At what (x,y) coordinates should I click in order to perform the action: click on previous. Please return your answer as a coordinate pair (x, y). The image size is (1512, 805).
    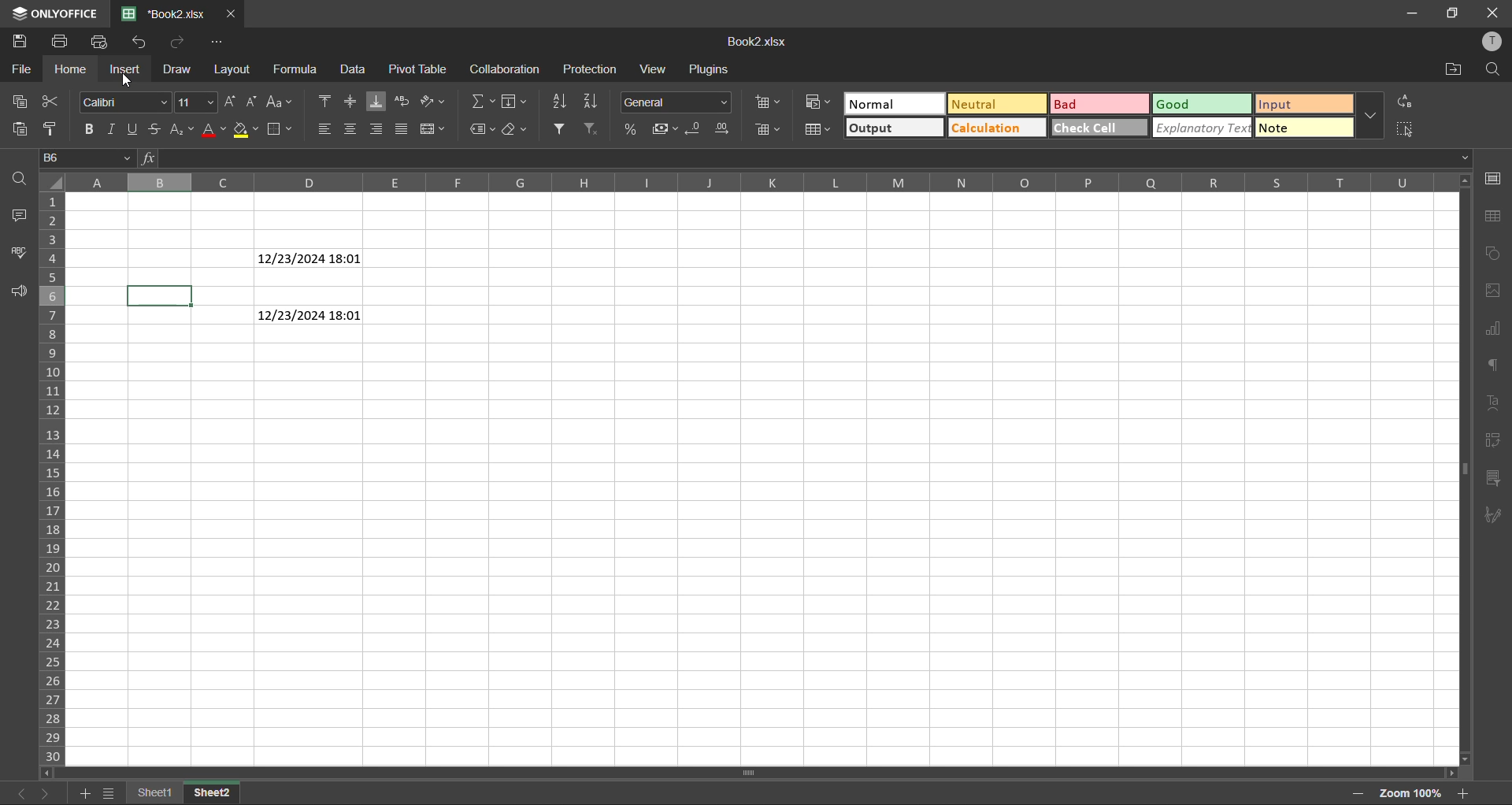
    Looking at the image, I should click on (18, 793).